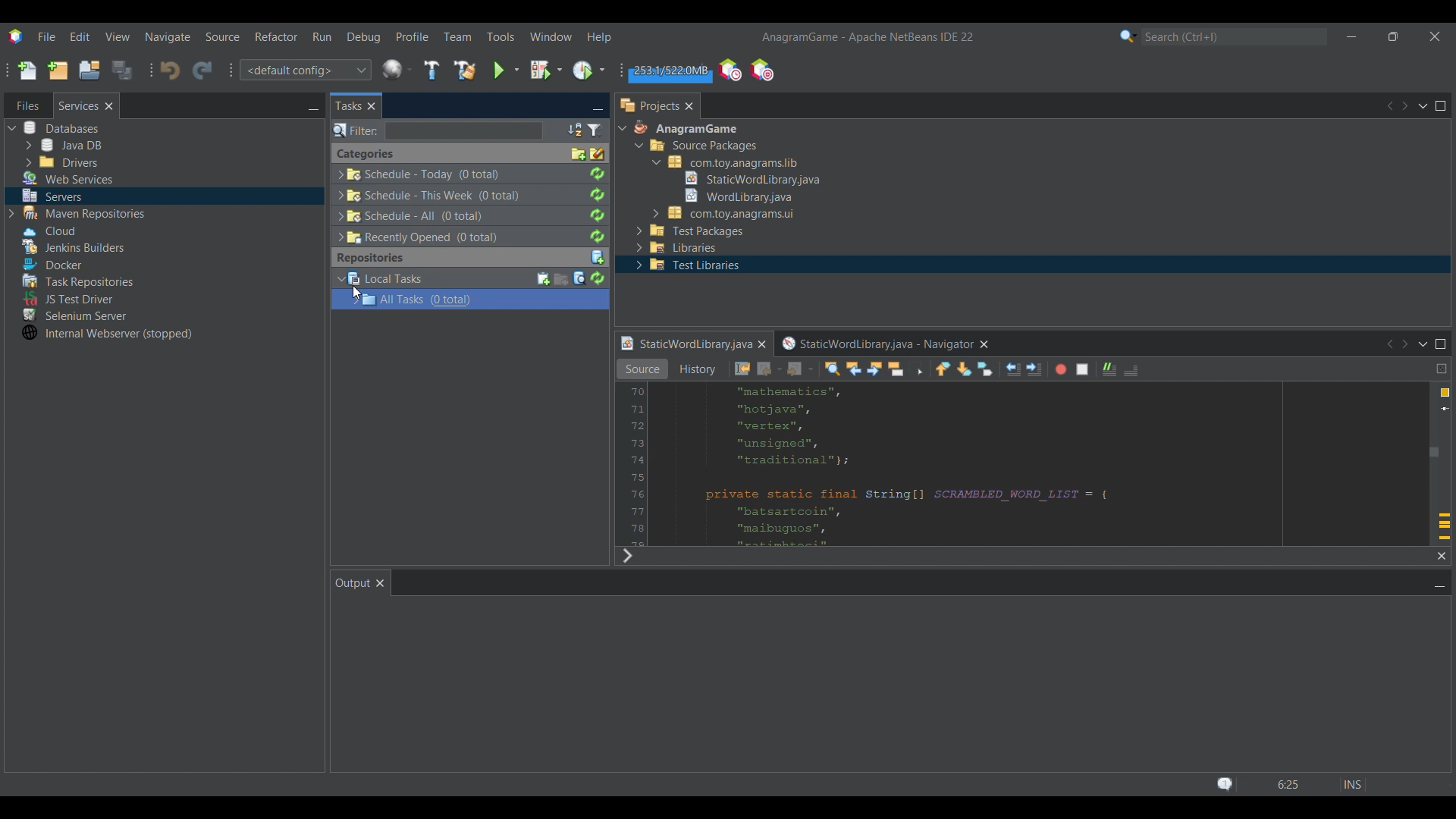 This screenshot has width=1456, height=819. I want to click on Team menu, so click(458, 36).